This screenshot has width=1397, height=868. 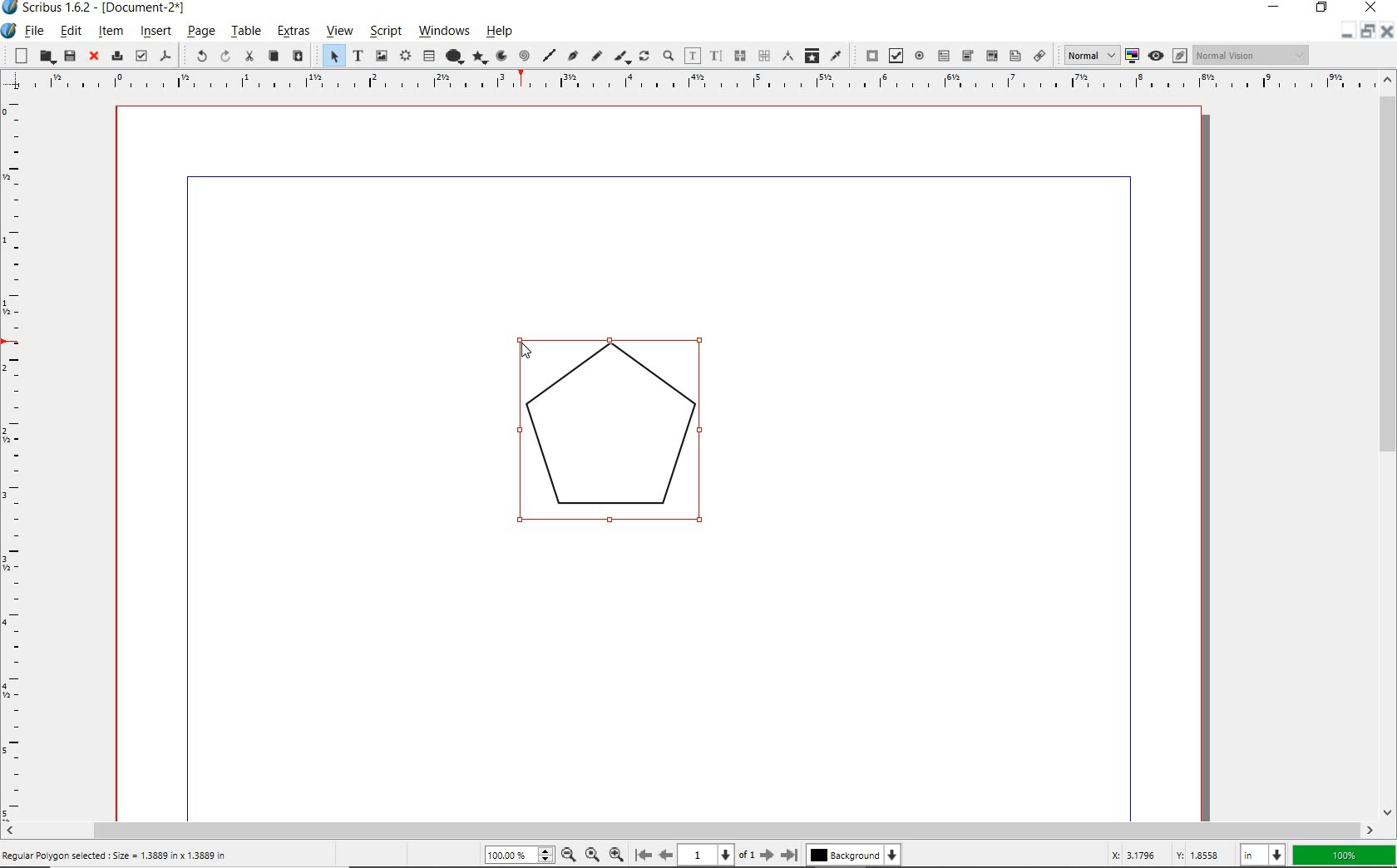 I want to click on pdf list box, so click(x=1015, y=57).